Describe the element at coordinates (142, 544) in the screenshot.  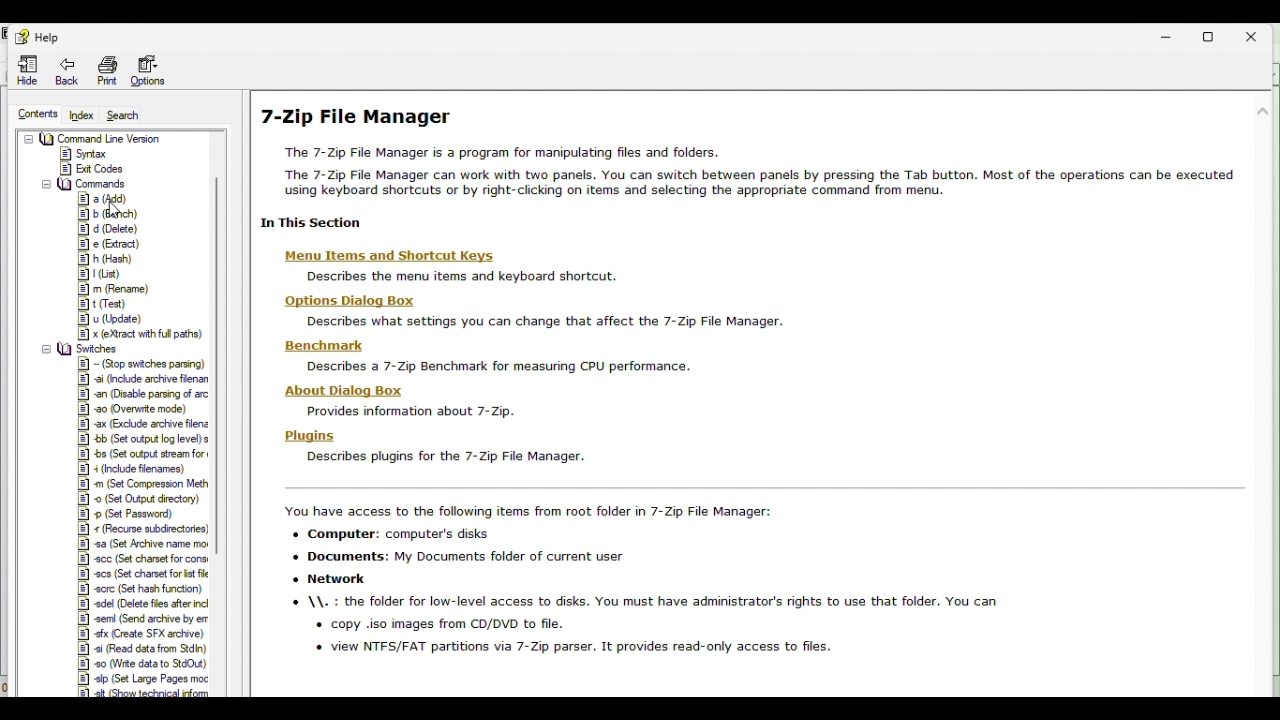
I see `-sa` at that location.